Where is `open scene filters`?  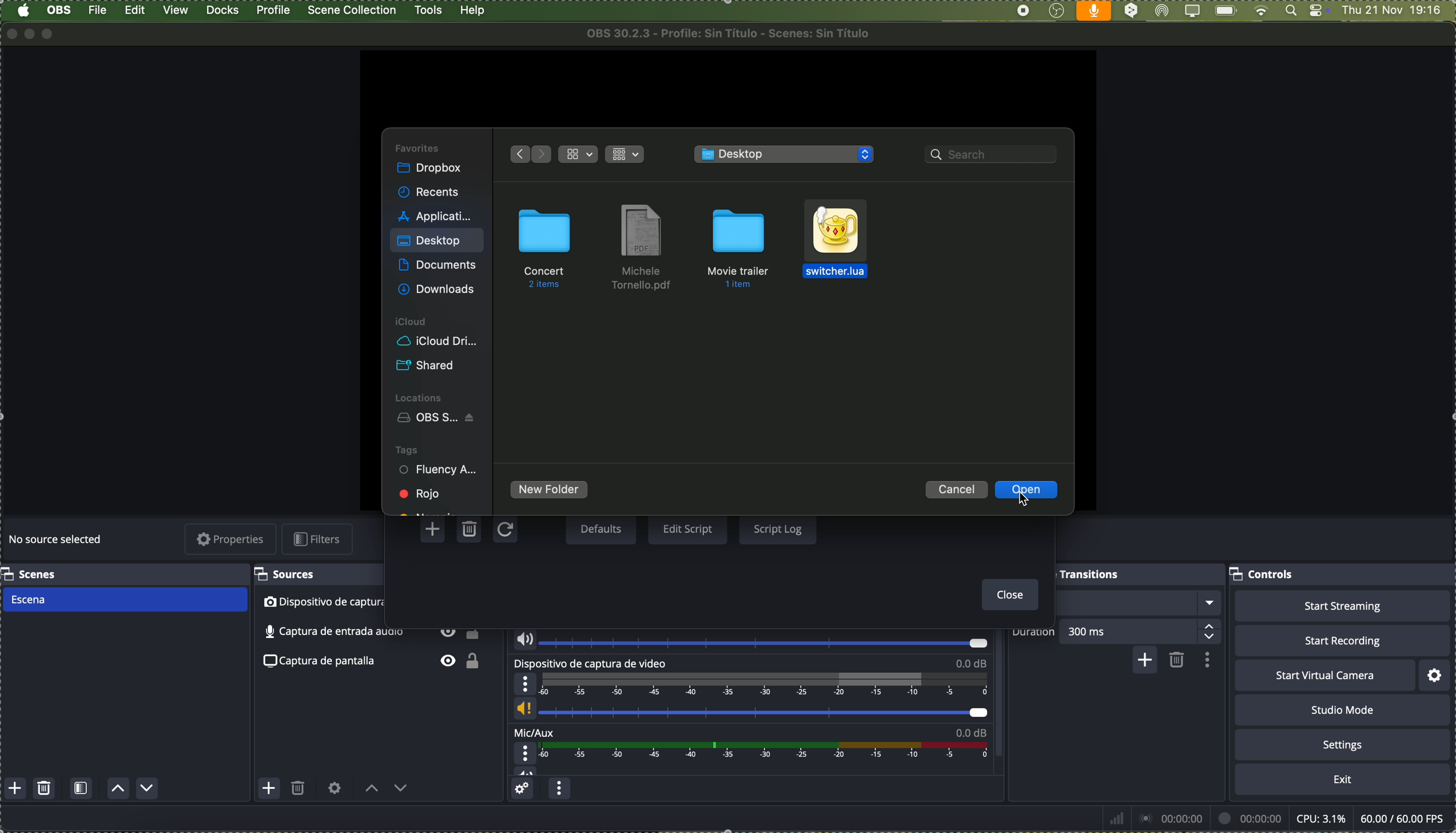 open scene filters is located at coordinates (81, 790).